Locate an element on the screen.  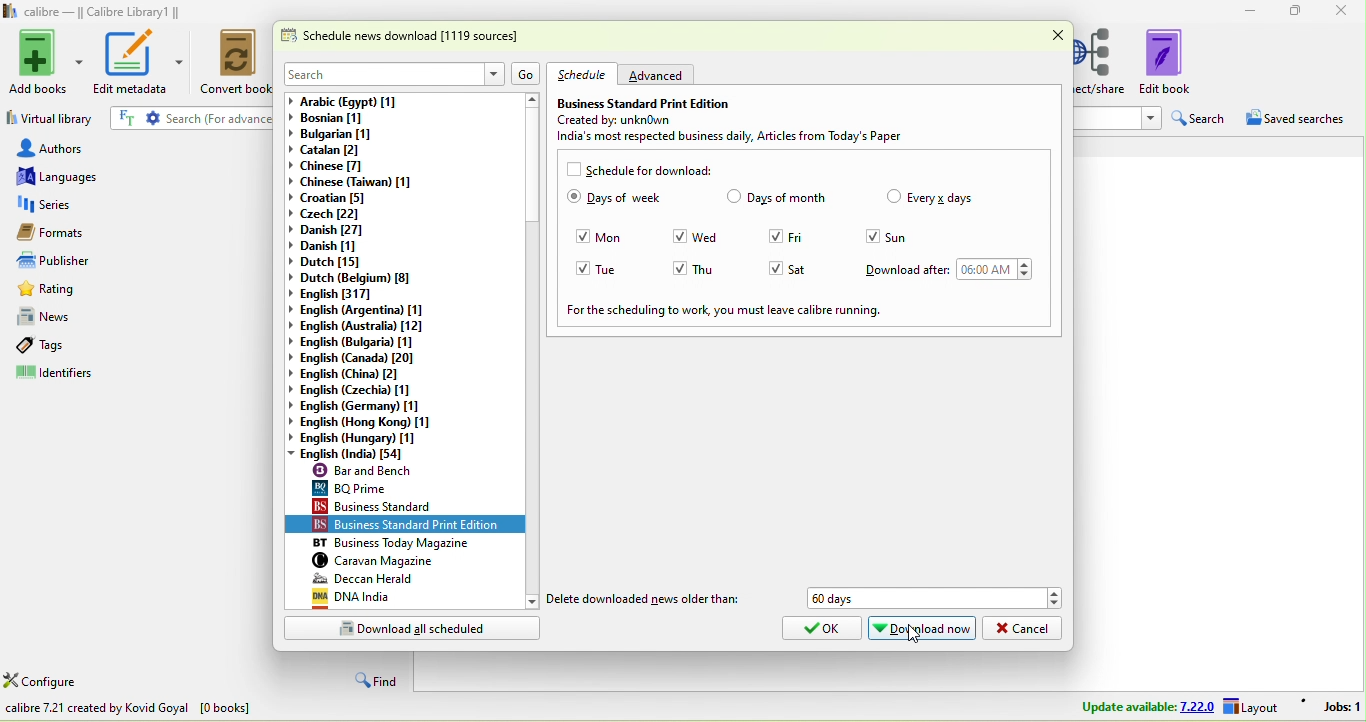
Checkbox is located at coordinates (773, 236).